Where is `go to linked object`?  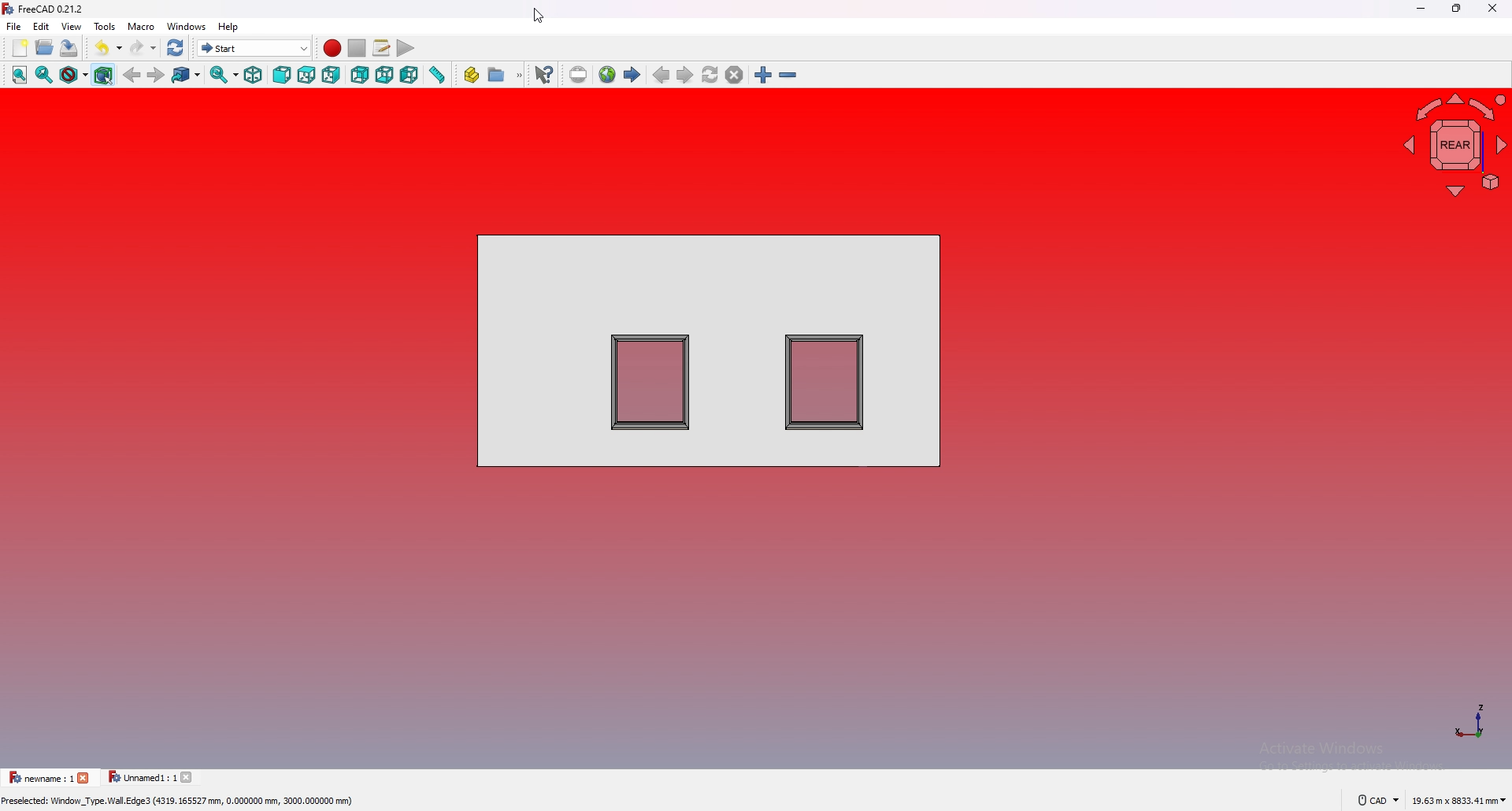 go to linked object is located at coordinates (187, 75).